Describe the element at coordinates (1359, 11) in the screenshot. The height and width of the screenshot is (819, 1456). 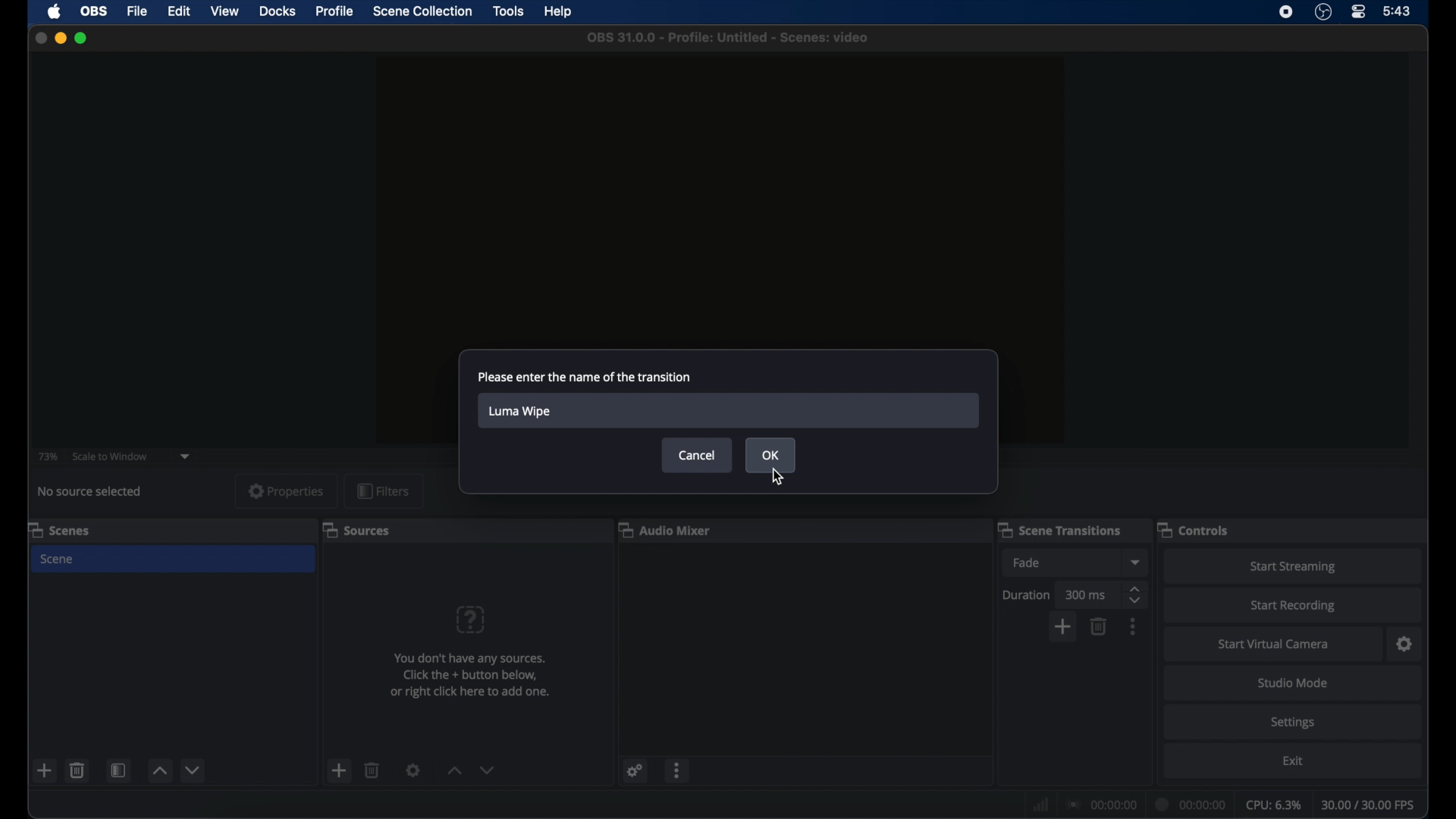
I see `control center` at that location.